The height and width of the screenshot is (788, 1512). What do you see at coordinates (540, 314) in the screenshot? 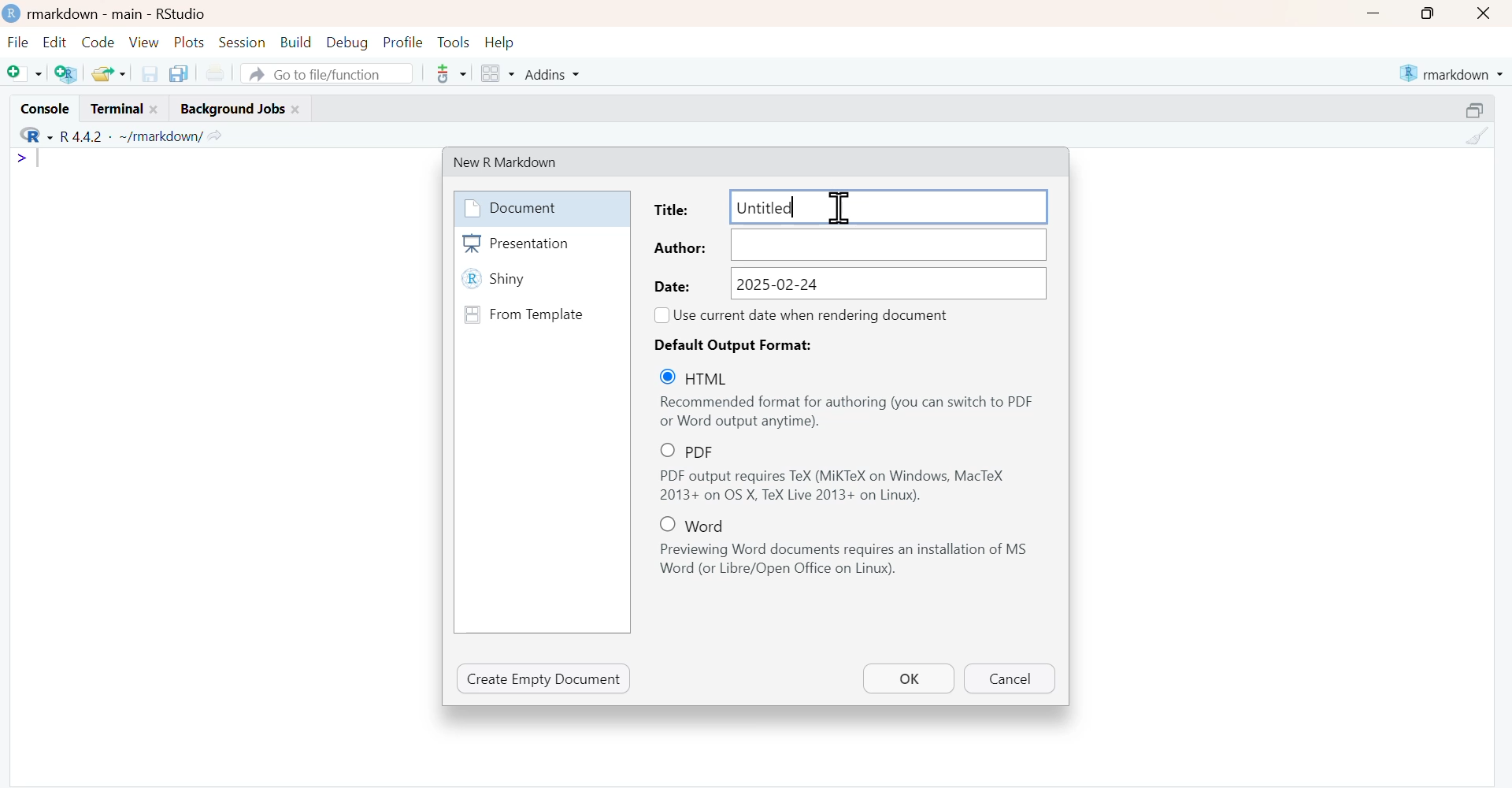
I see `From Template` at bounding box center [540, 314].